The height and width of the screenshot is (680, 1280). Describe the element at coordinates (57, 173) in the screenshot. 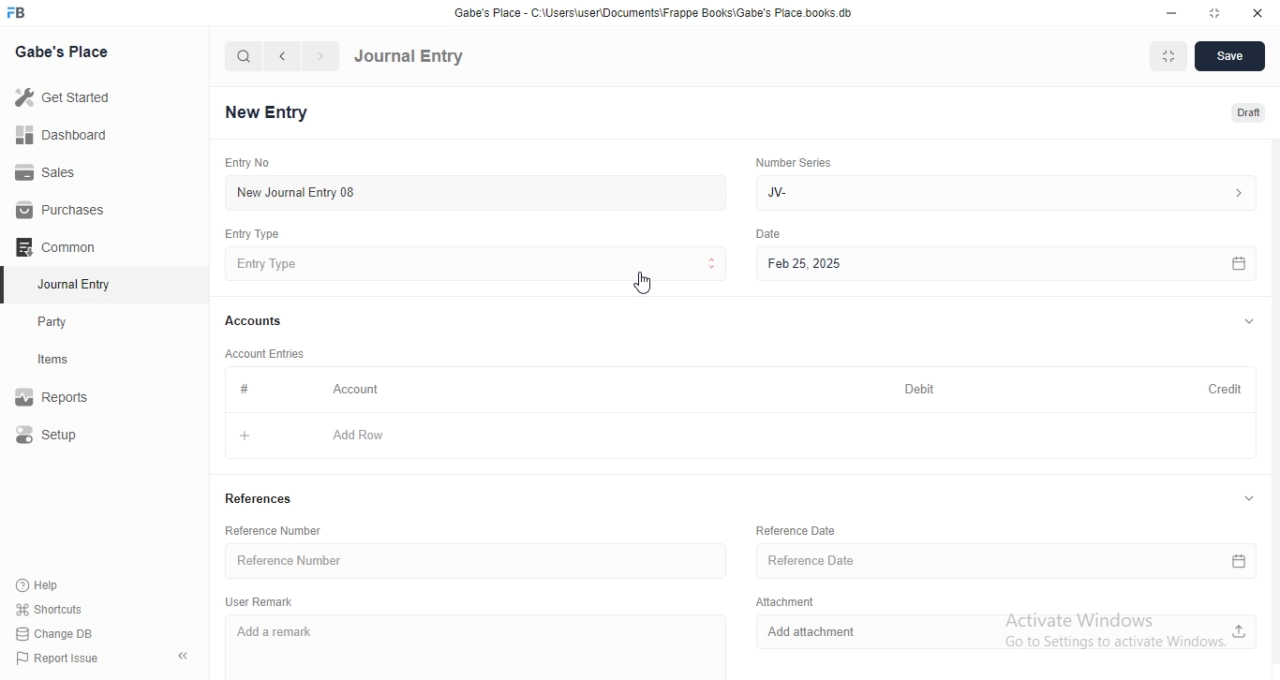

I see `Sales` at that location.